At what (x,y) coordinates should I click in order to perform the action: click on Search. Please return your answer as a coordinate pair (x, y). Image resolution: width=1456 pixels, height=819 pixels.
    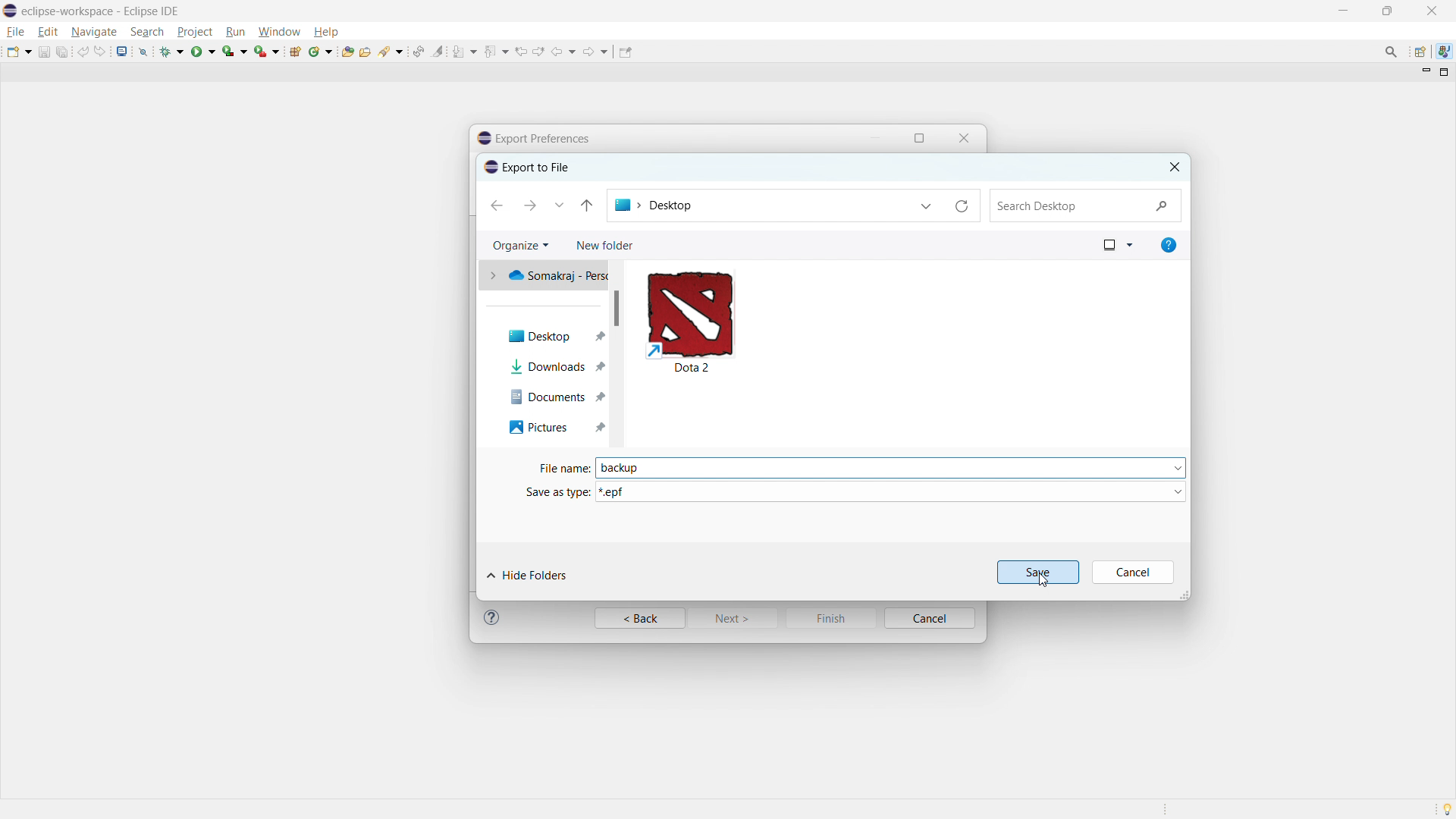
    Looking at the image, I should click on (1087, 206).